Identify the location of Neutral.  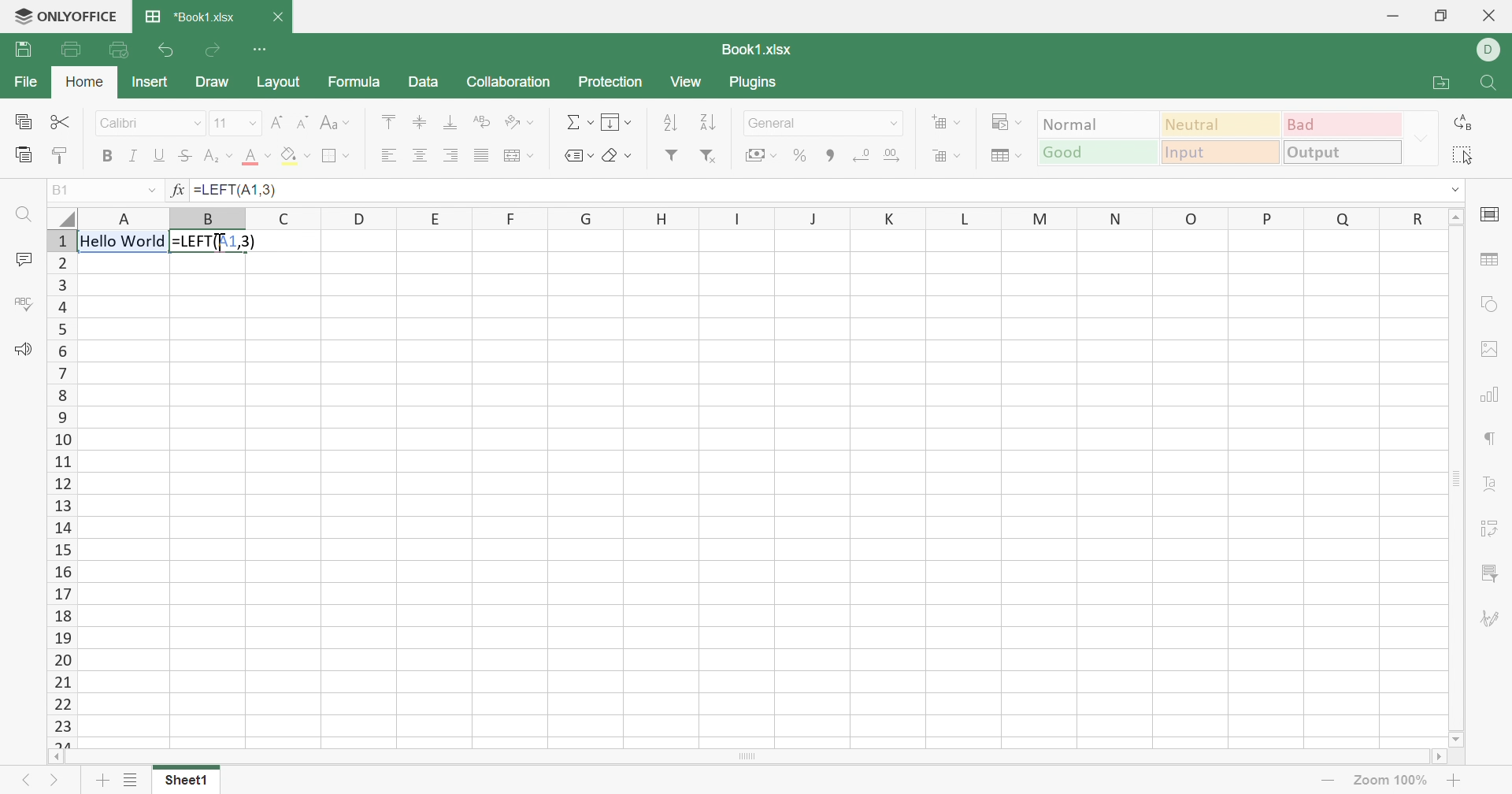
(1220, 124).